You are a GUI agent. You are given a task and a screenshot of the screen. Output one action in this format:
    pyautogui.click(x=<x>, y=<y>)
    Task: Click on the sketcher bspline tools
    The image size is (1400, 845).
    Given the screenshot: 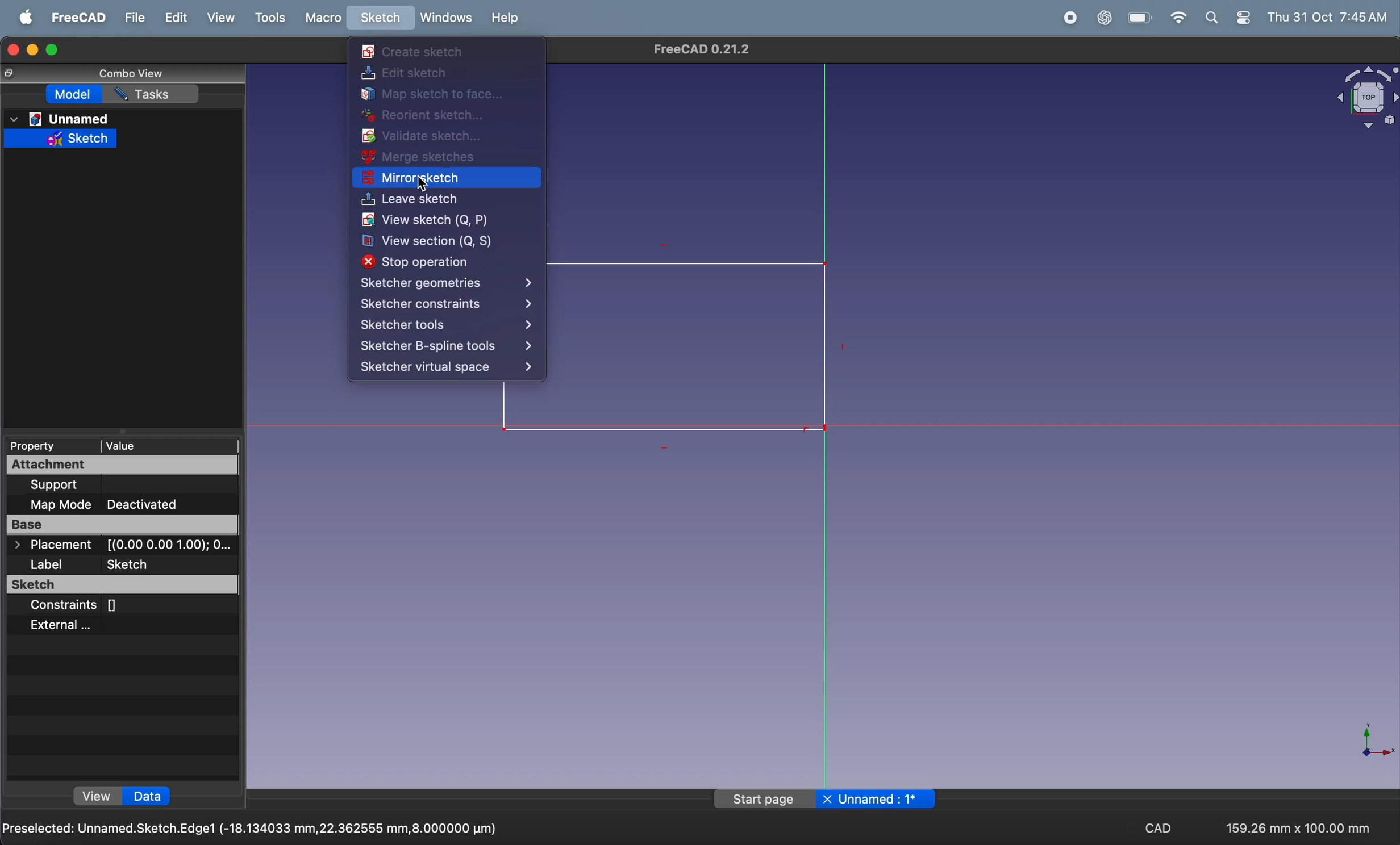 What is the action you would take?
    pyautogui.click(x=445, y=346)
    